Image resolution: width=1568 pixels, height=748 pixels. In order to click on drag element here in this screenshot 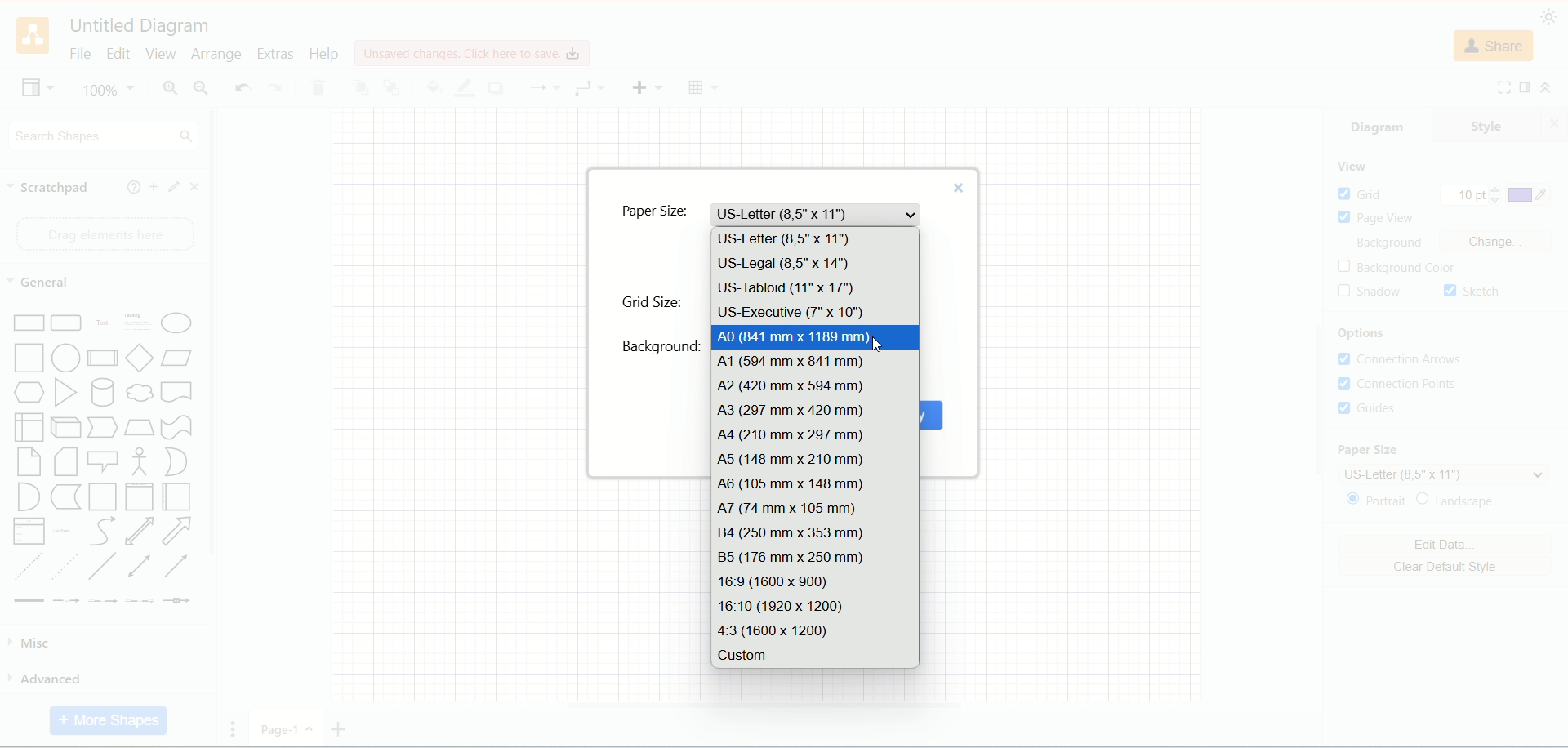, I will do `click(102, 234)`.